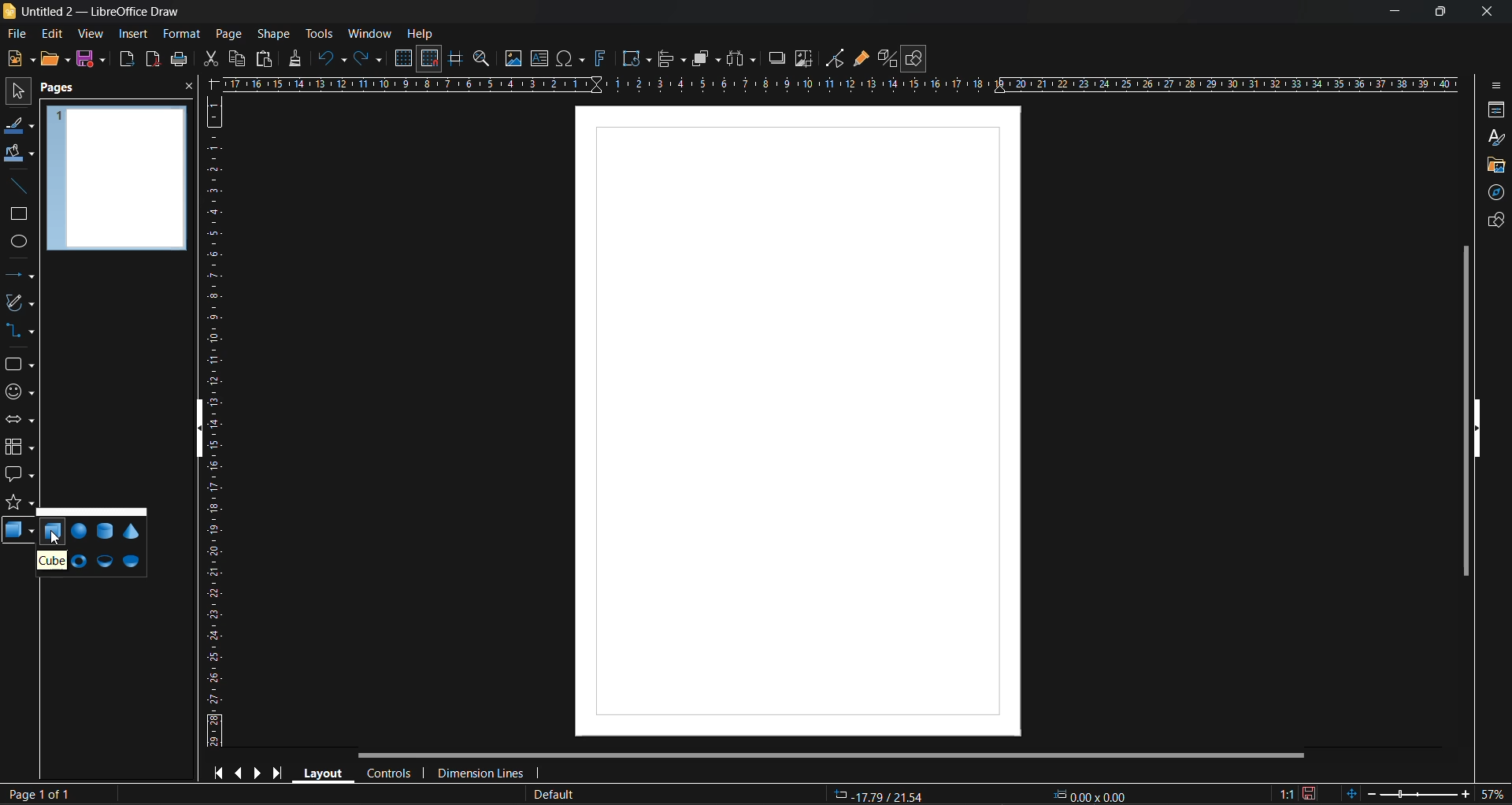  What do you see at coordinates (133, 33) in the screenshot?
I see `insert` at bounding box center [133, 33].